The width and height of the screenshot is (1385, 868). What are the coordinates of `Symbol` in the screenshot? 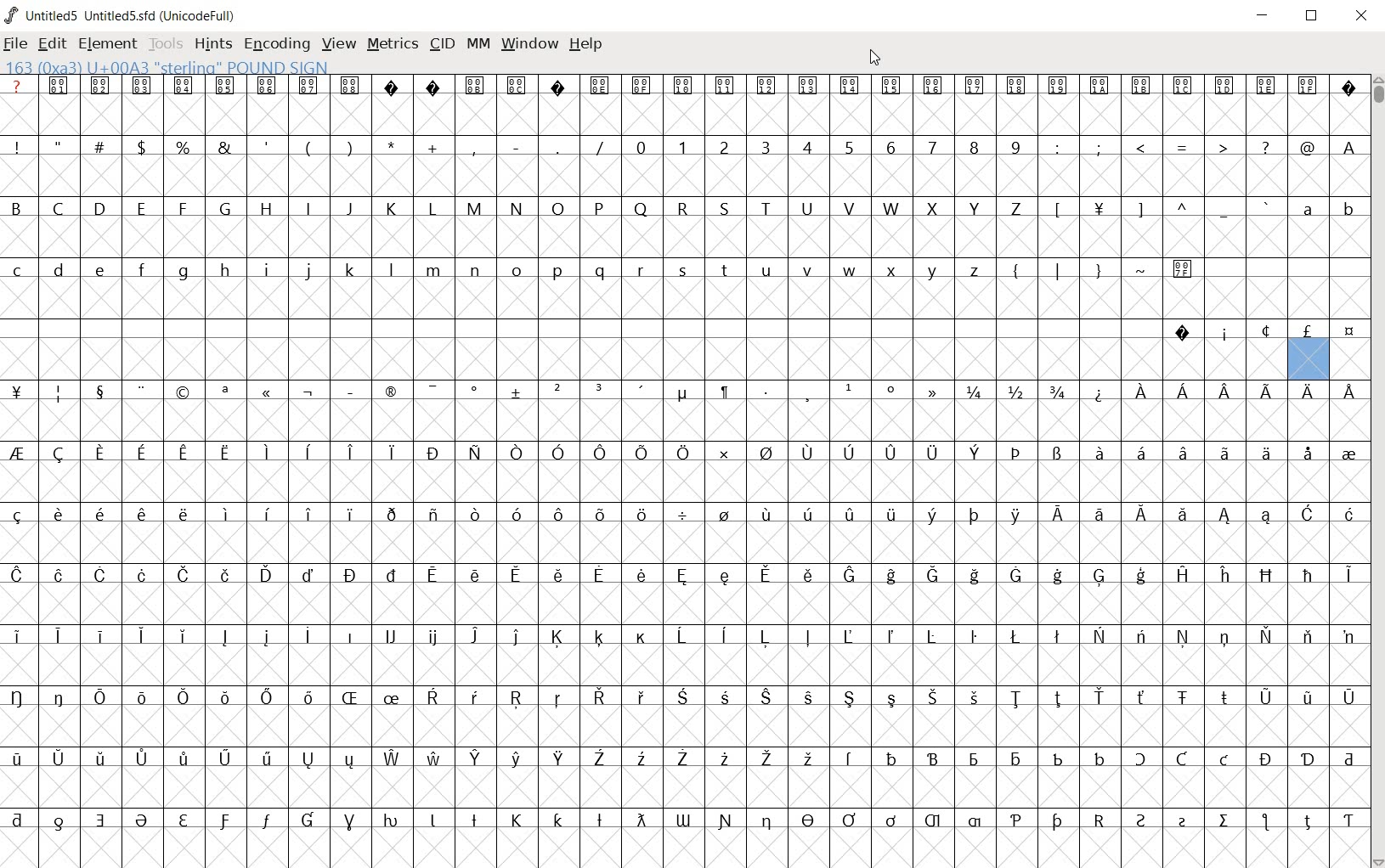 It's located at (1057, 576).